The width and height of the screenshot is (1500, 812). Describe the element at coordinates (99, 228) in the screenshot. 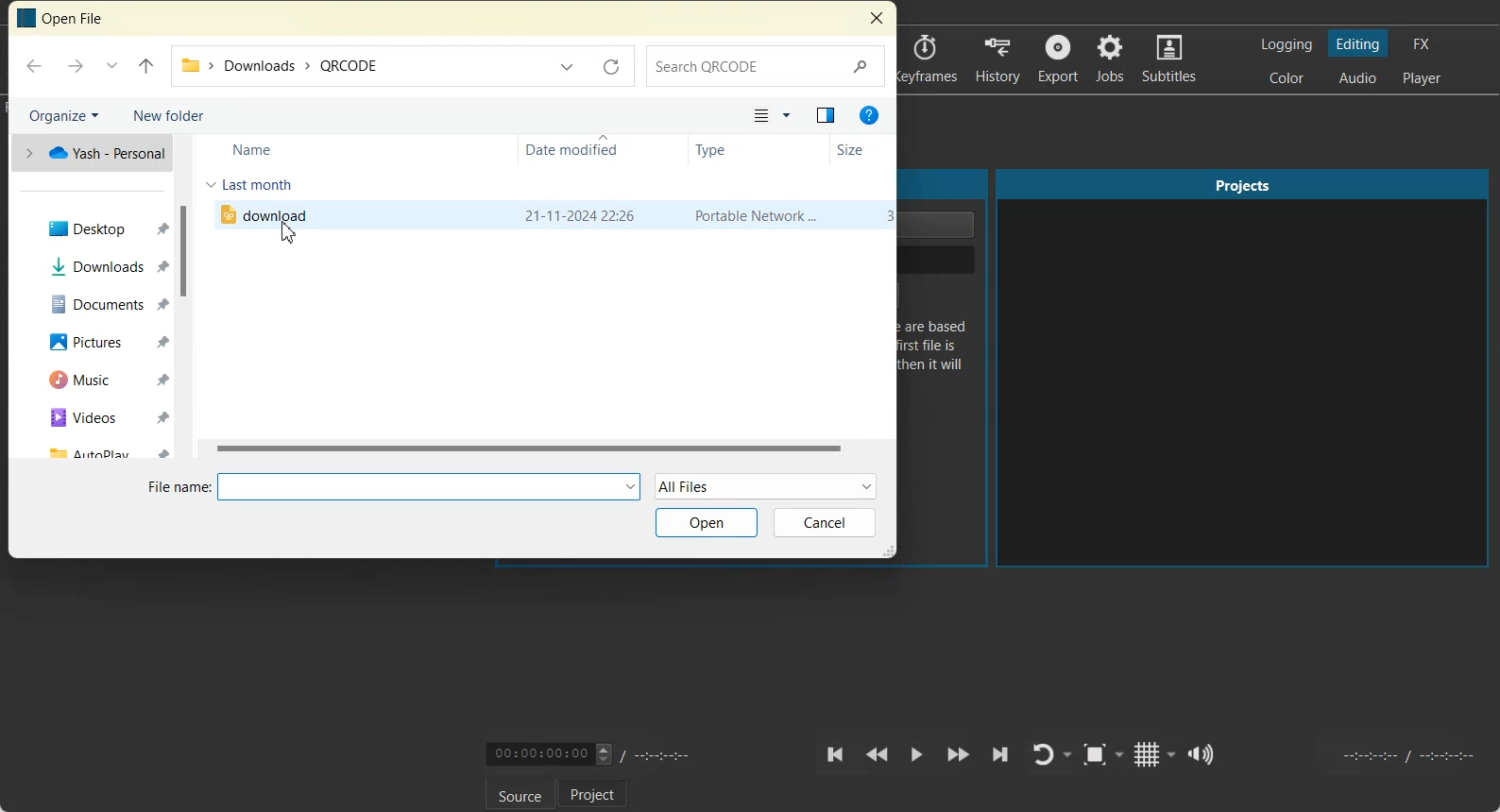

I see `Desktop` at that location.